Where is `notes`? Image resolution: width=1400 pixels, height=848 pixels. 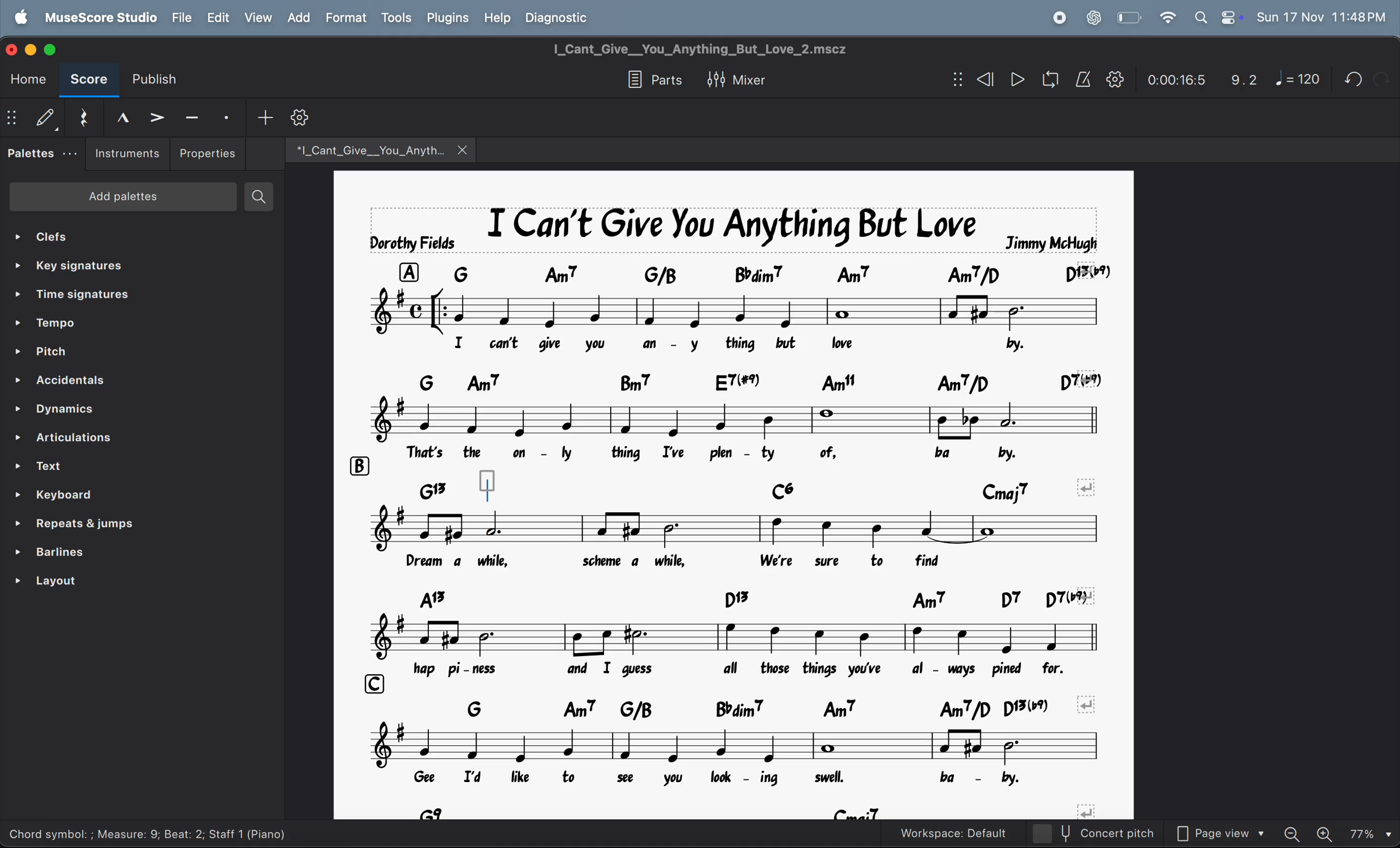 notes is located at coordinates (730, 528).